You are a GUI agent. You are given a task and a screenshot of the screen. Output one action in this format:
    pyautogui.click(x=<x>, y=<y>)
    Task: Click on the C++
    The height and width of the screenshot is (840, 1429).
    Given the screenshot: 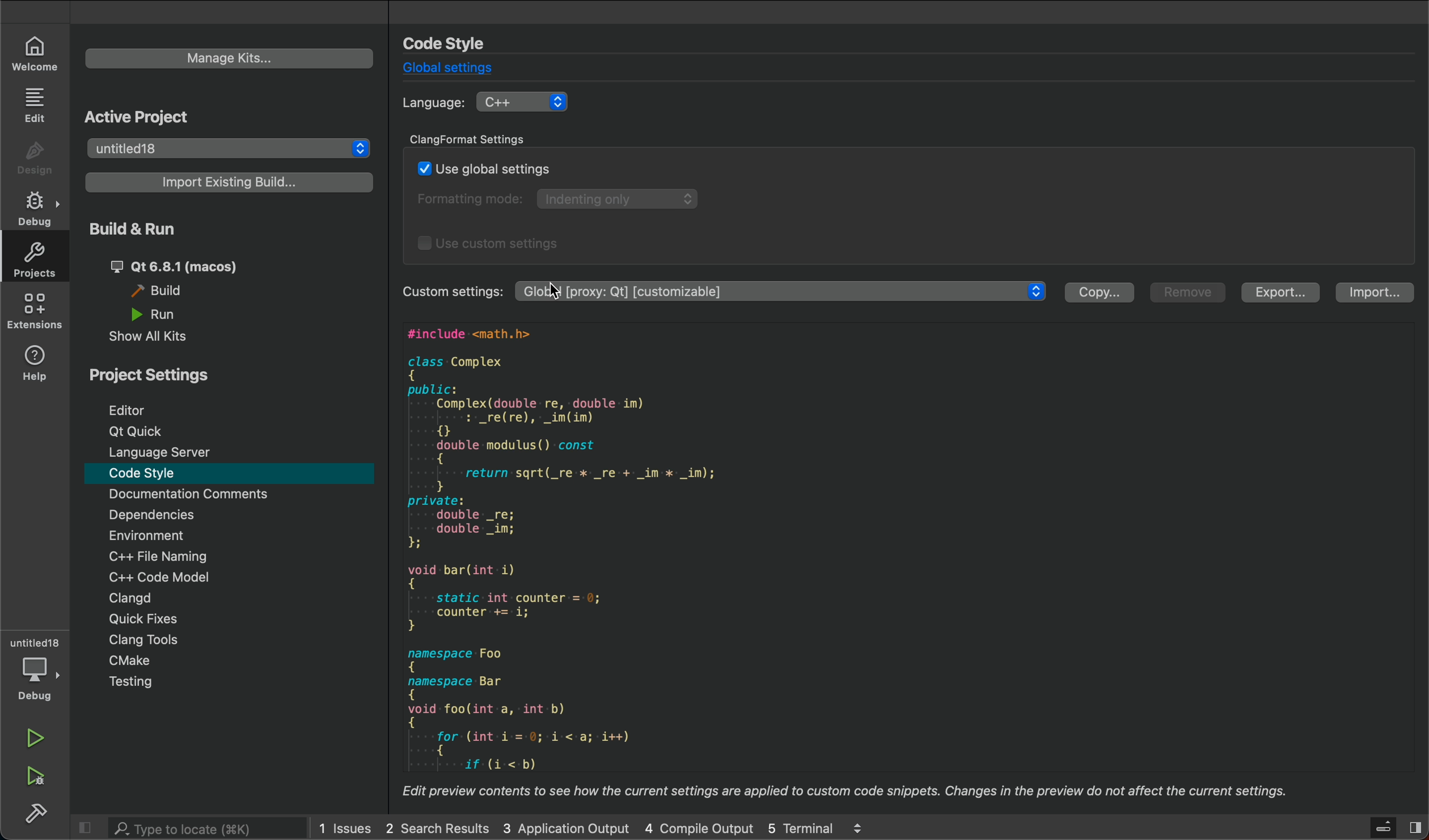 What is the action you would take?
    pyautogui.click(x=525, y=103)
    